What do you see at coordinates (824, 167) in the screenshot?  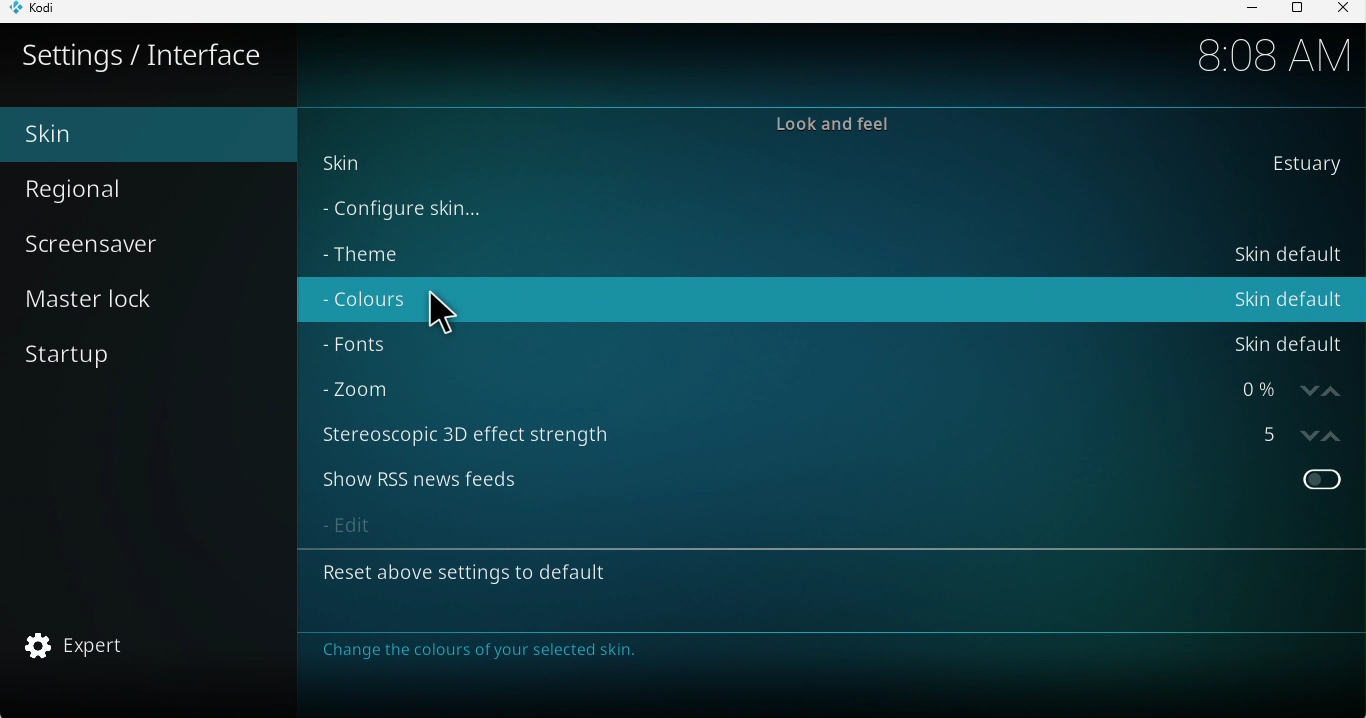 I see `Skin` at bounding box center [824, 167].